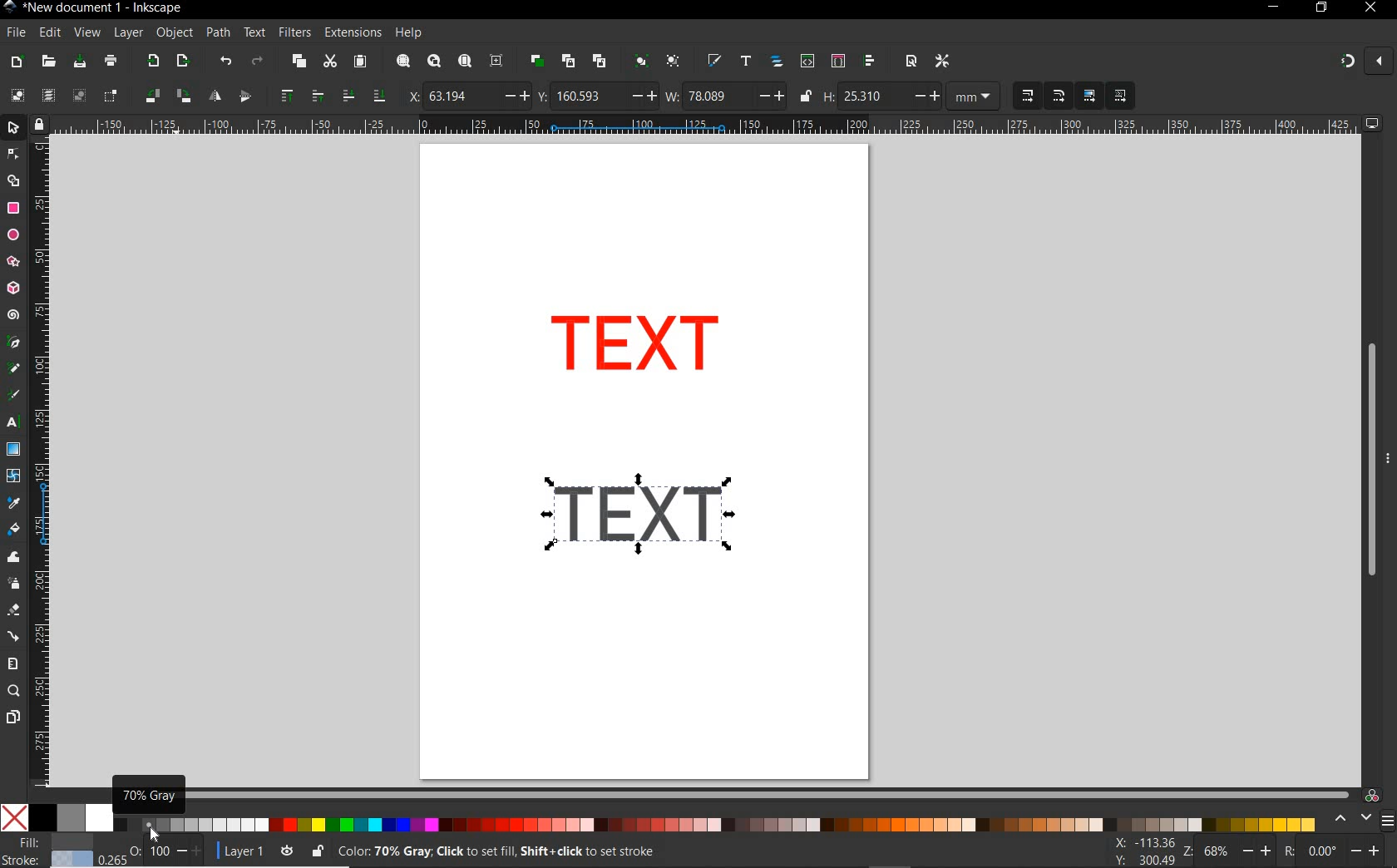 The width and height of the screenshot is (1397, 868). Describe the element at coordinates (13, 262) in the screenshot. I see `star tool` at that location.